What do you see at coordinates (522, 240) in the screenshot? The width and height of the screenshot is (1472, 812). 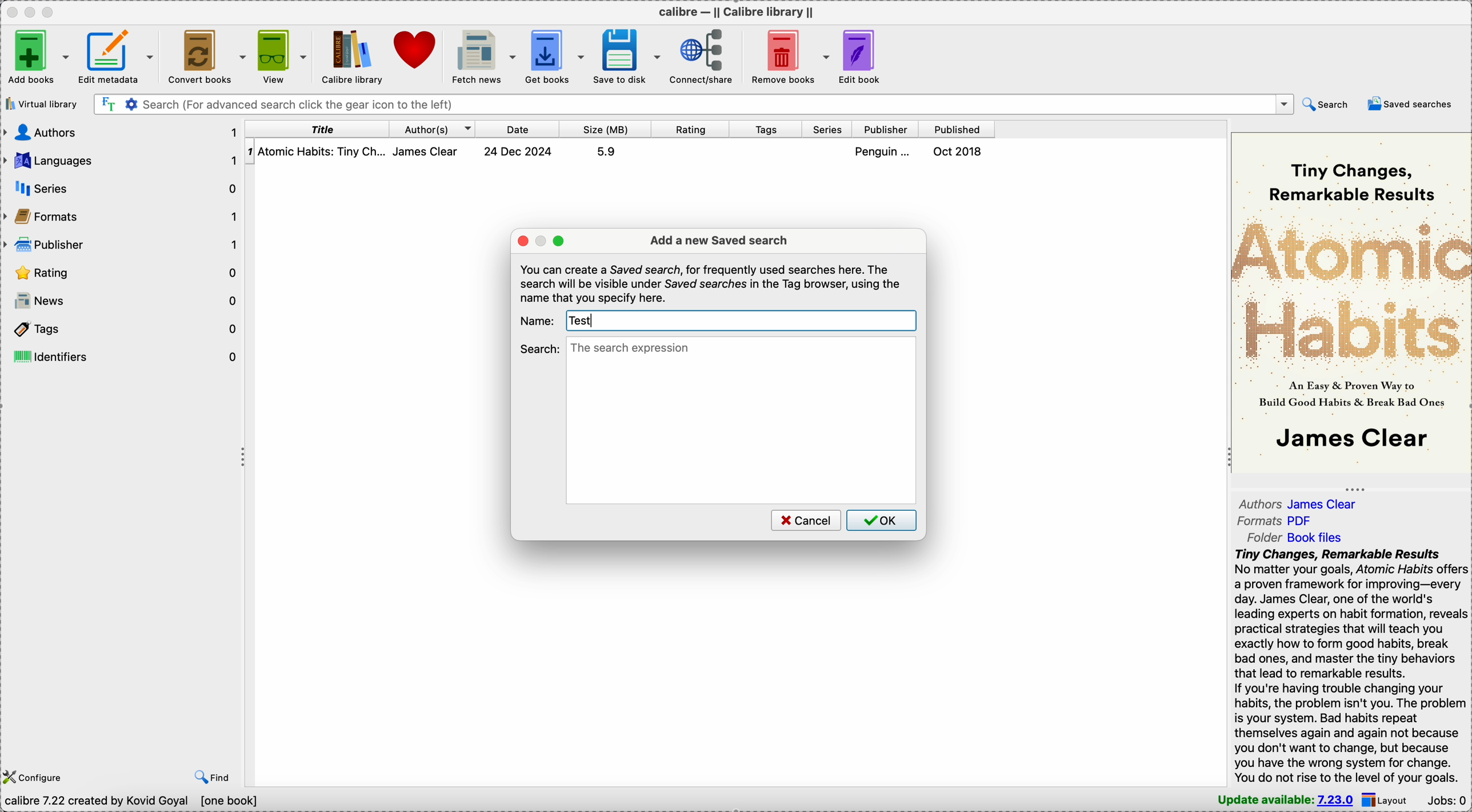 I see `close pop-up` at bounding box center [522, 240].